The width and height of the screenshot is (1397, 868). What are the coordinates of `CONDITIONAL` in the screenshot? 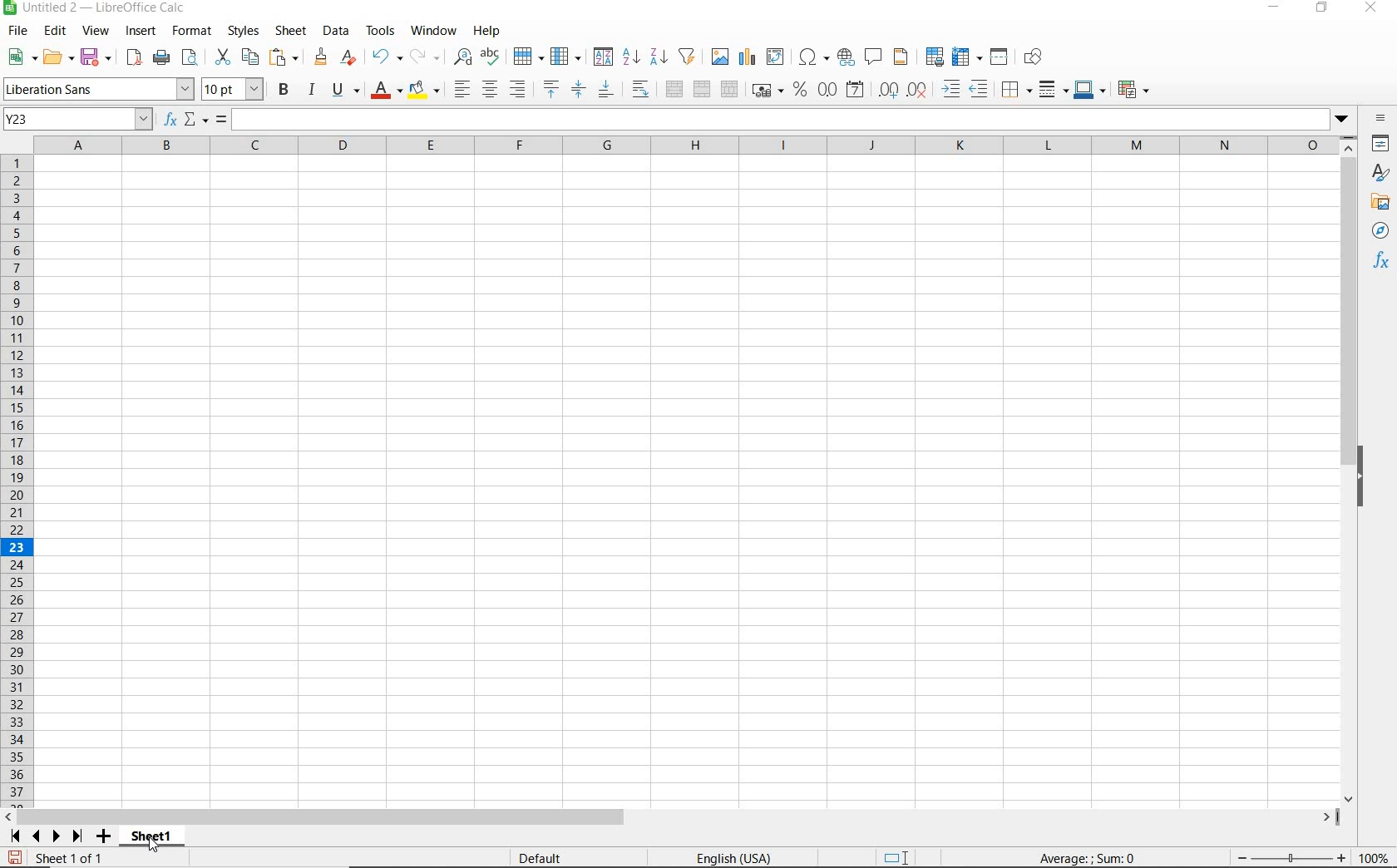 It's located at (1133, 89).